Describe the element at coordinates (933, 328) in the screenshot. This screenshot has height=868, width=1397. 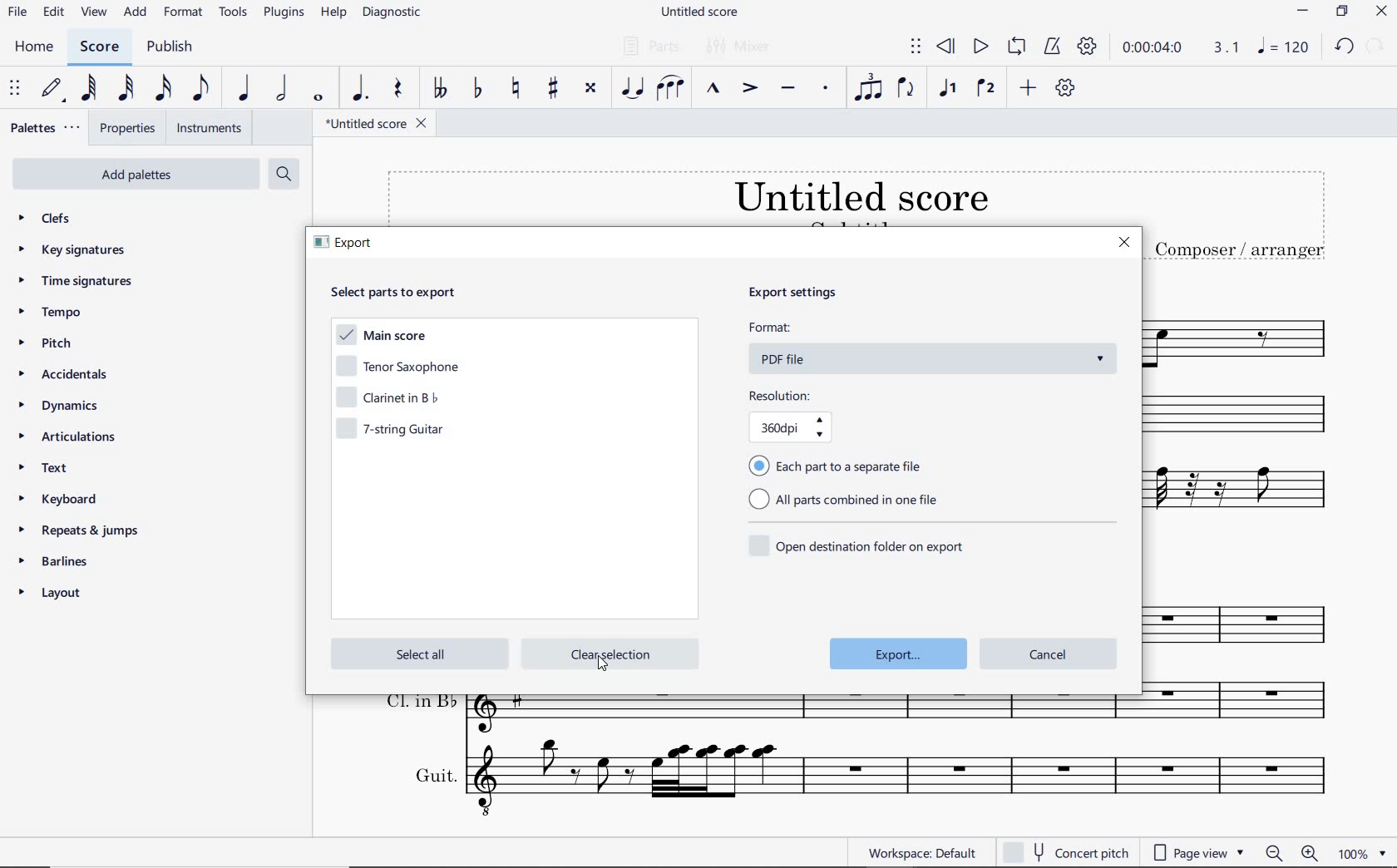
I see `format` at that location.